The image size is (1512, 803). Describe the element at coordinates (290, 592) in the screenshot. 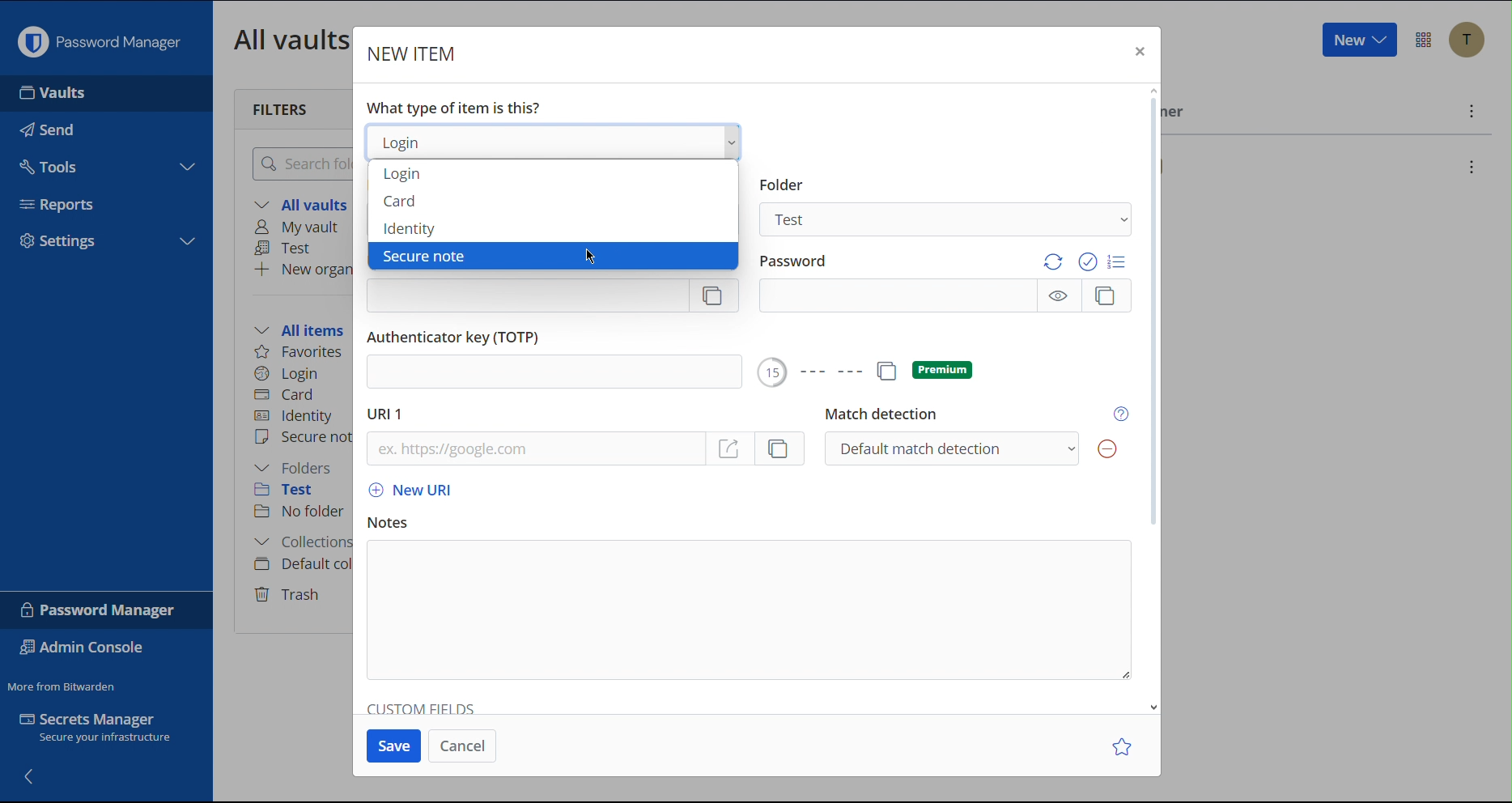

I see `Trash` at that location.